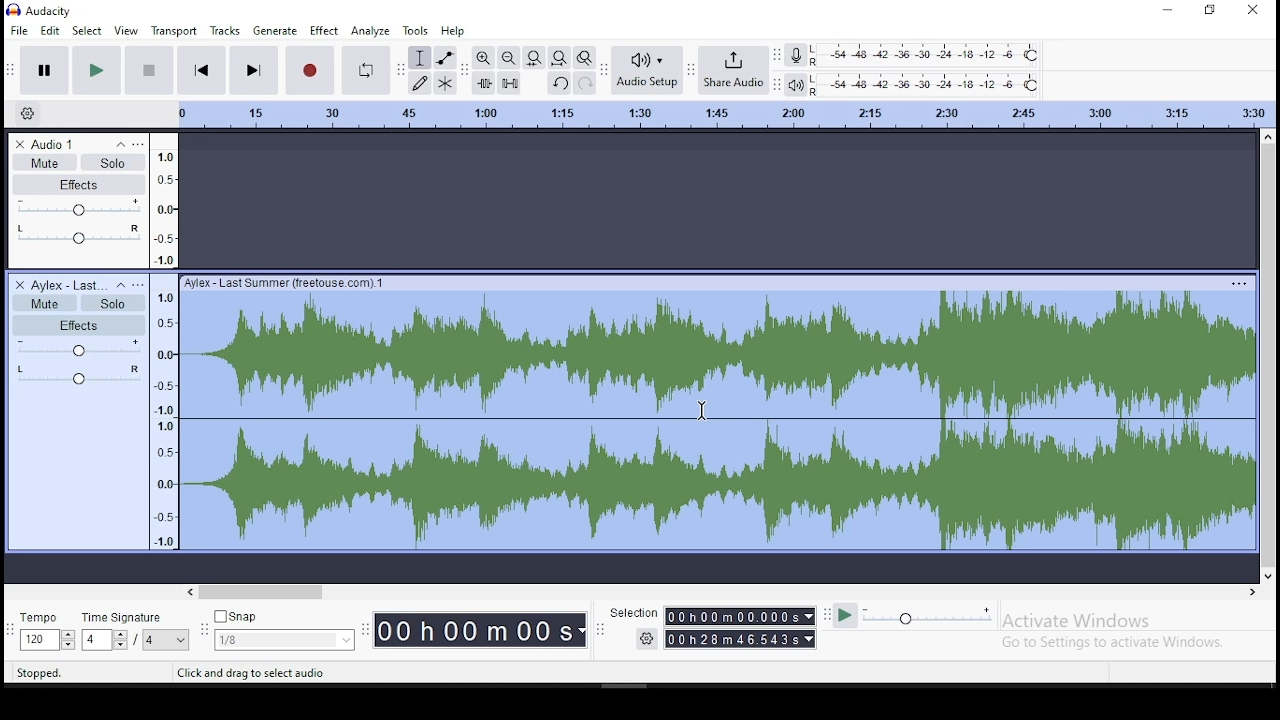 This screenshot has width=1280, height=720. I want to click on audio , so click(65, 284).